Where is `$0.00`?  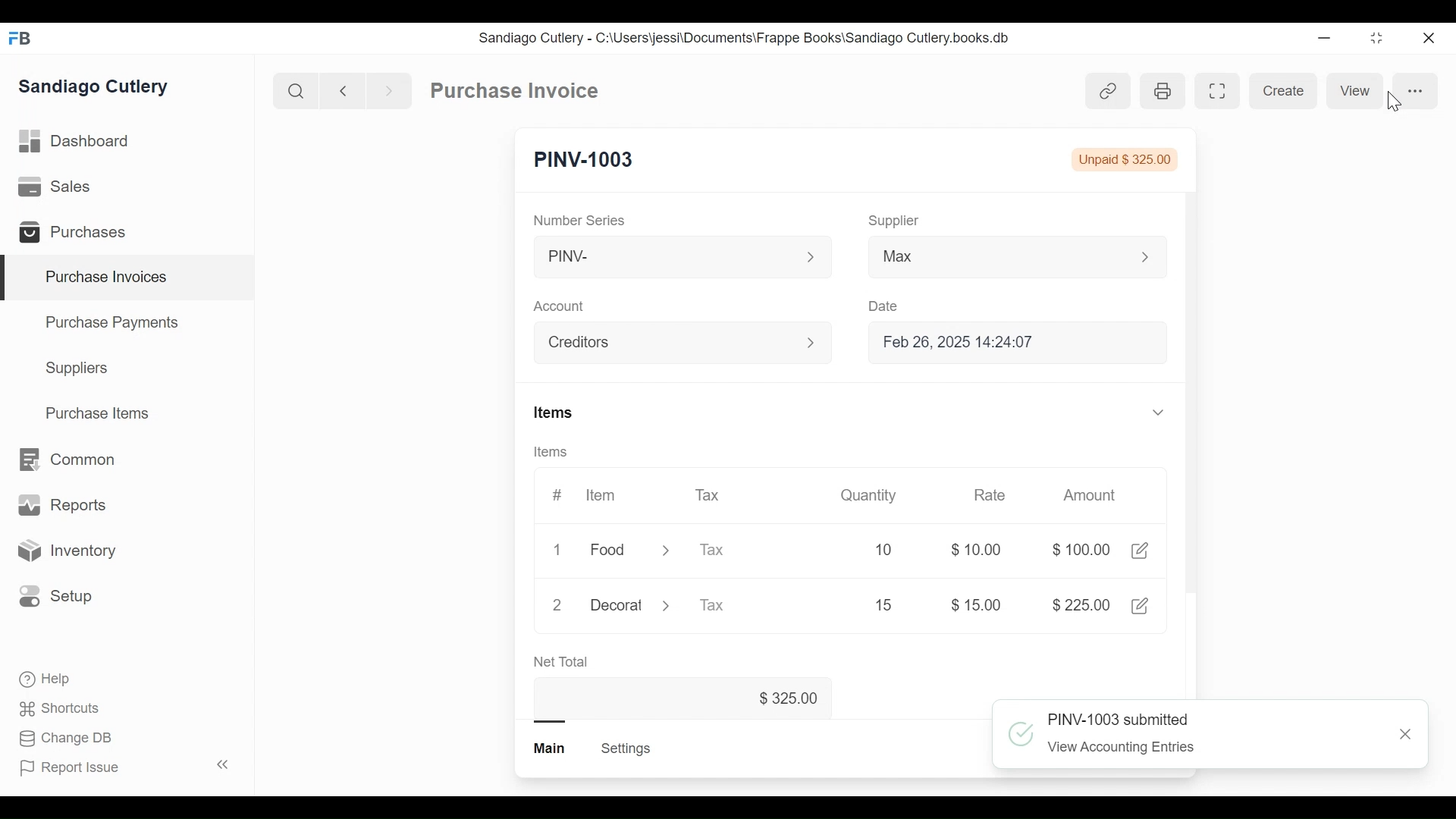 $0.00 is located at coordinates (980, 550).